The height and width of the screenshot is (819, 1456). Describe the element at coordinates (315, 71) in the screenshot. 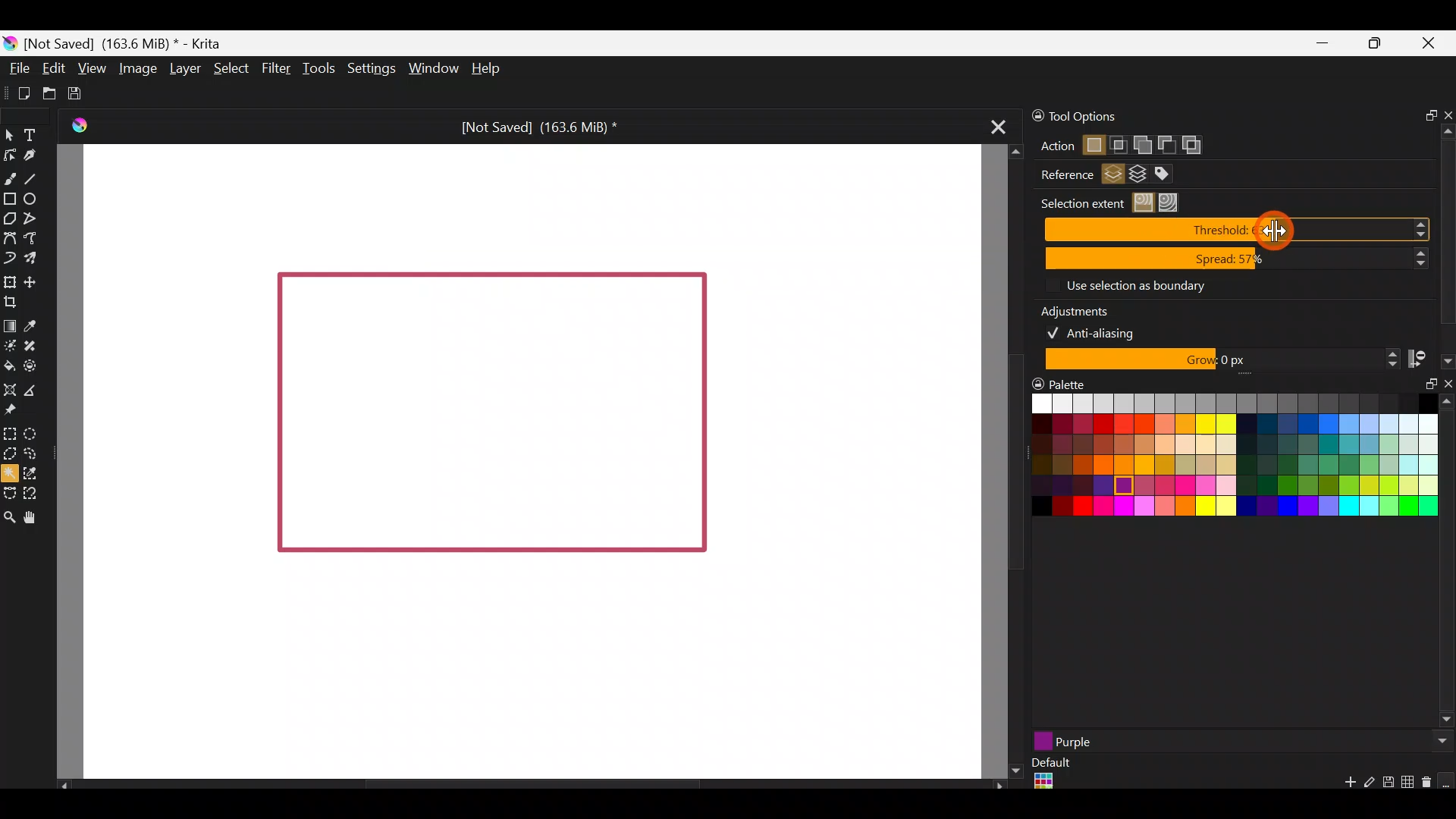

I see `Tools` at that location.